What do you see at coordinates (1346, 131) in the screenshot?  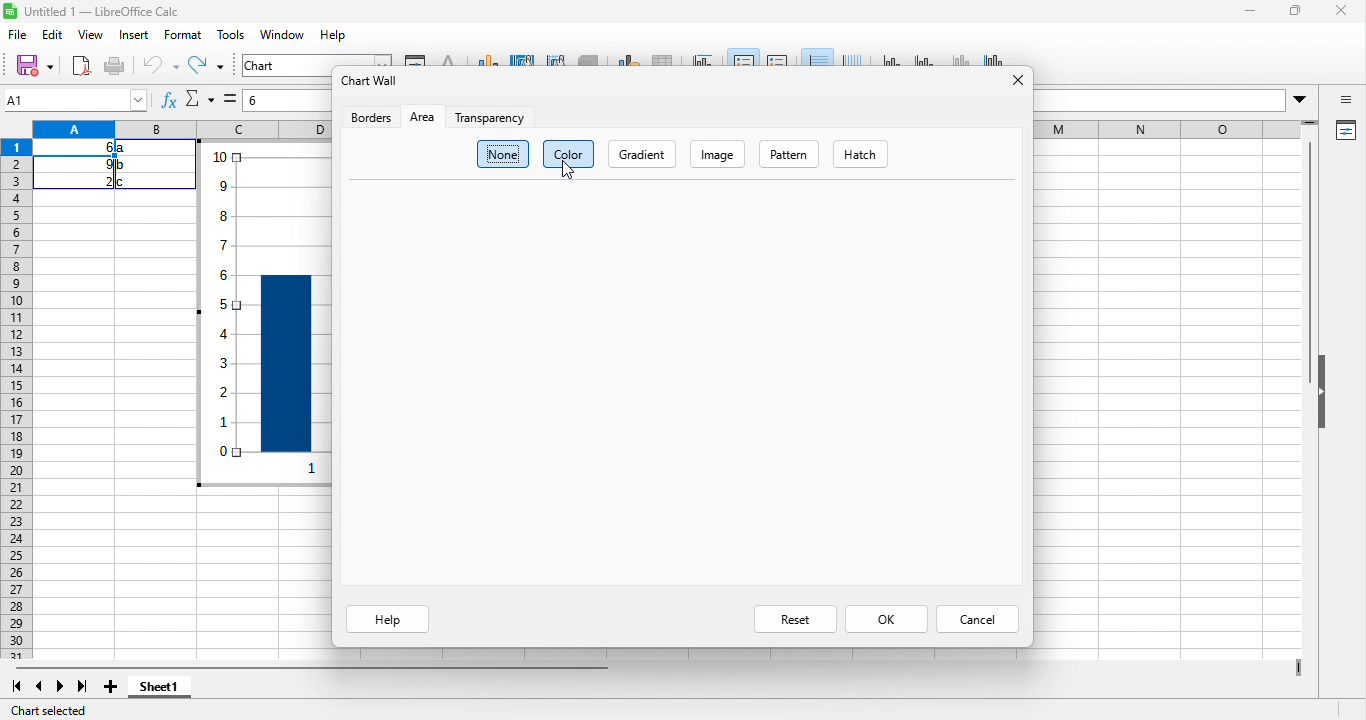 I see `properties` at bounding box center [1346, 131].